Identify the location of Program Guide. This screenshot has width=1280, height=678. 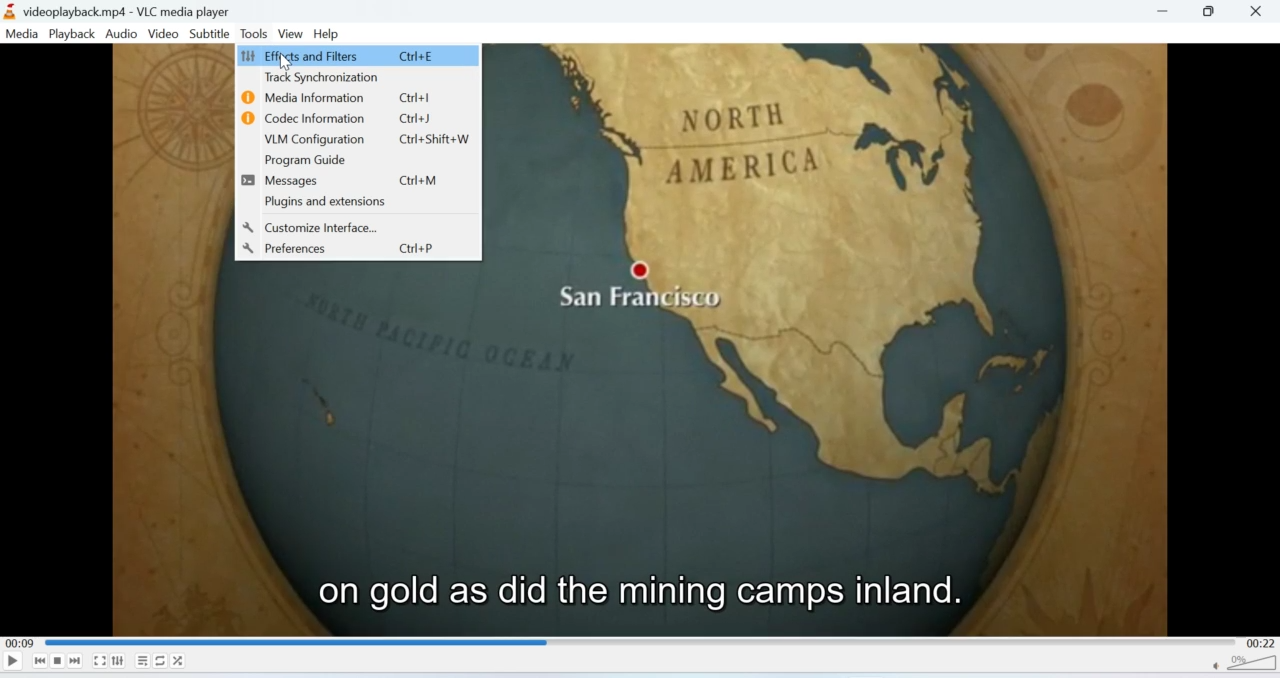
(303, 160).